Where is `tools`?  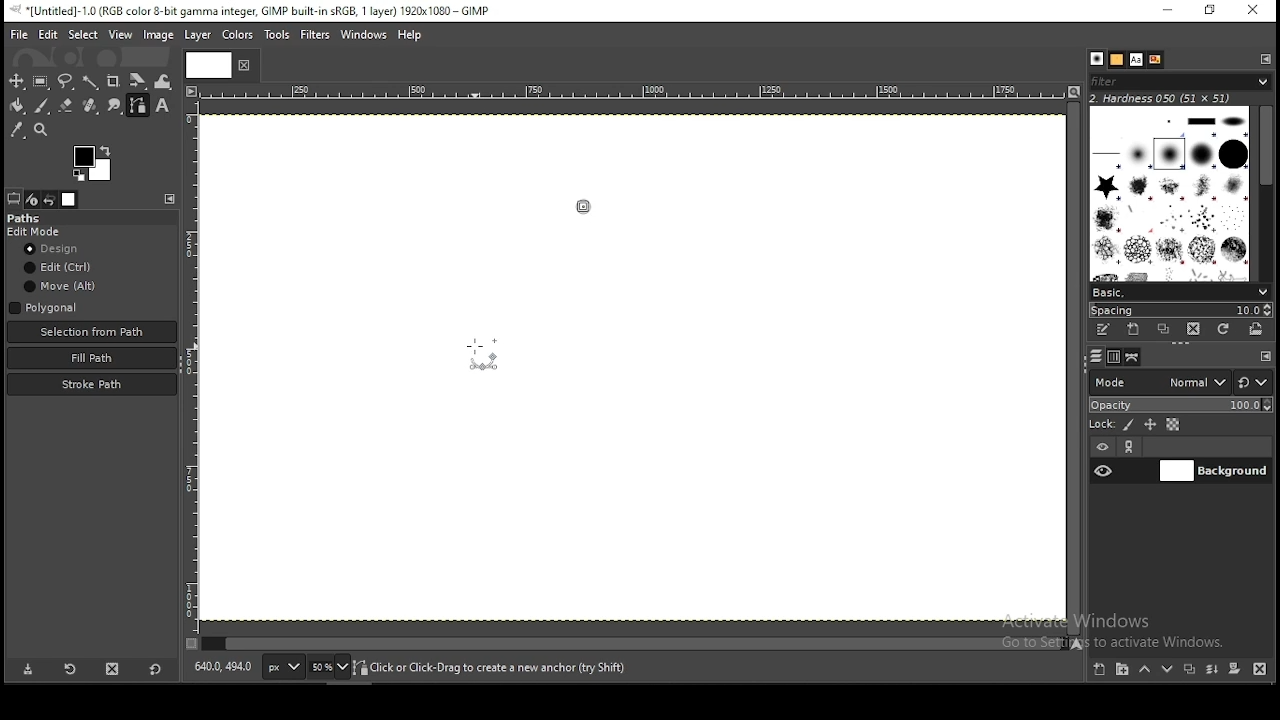
tools is located at coordinates (276, 35).